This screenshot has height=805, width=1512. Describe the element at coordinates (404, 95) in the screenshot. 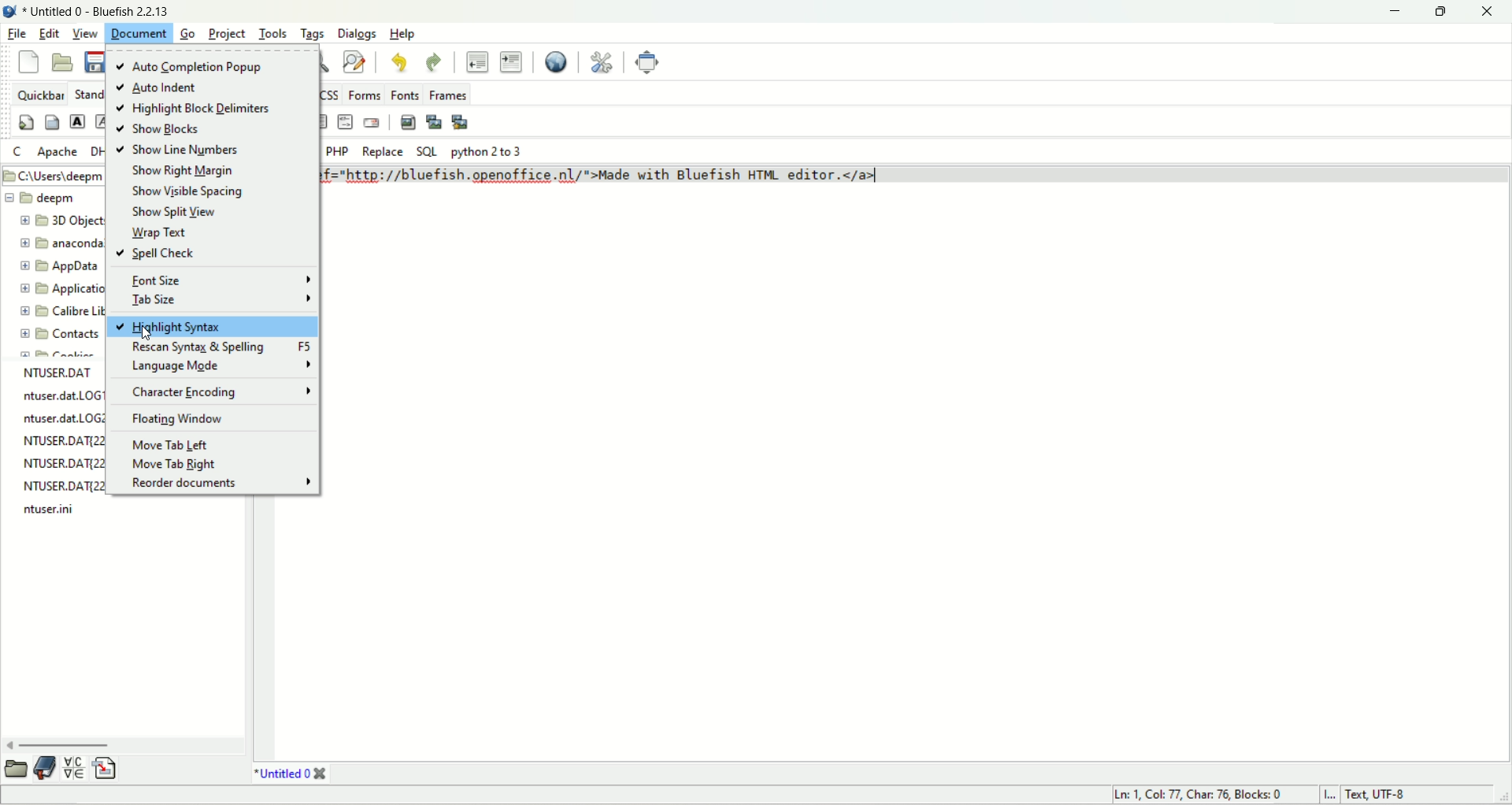

I see `fonts` at that location.